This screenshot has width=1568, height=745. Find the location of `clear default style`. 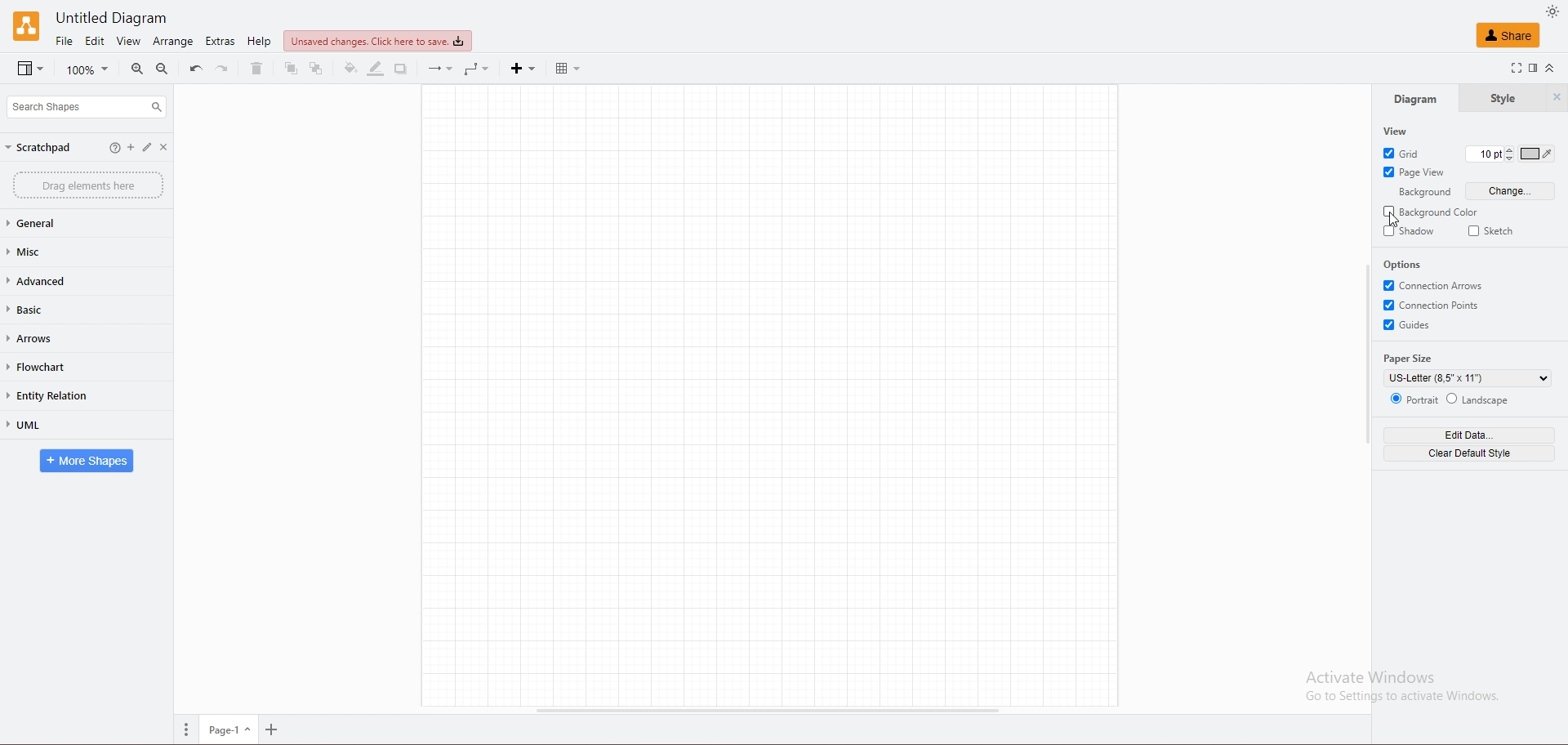

clear default style is located at coordinates (1468, 453).